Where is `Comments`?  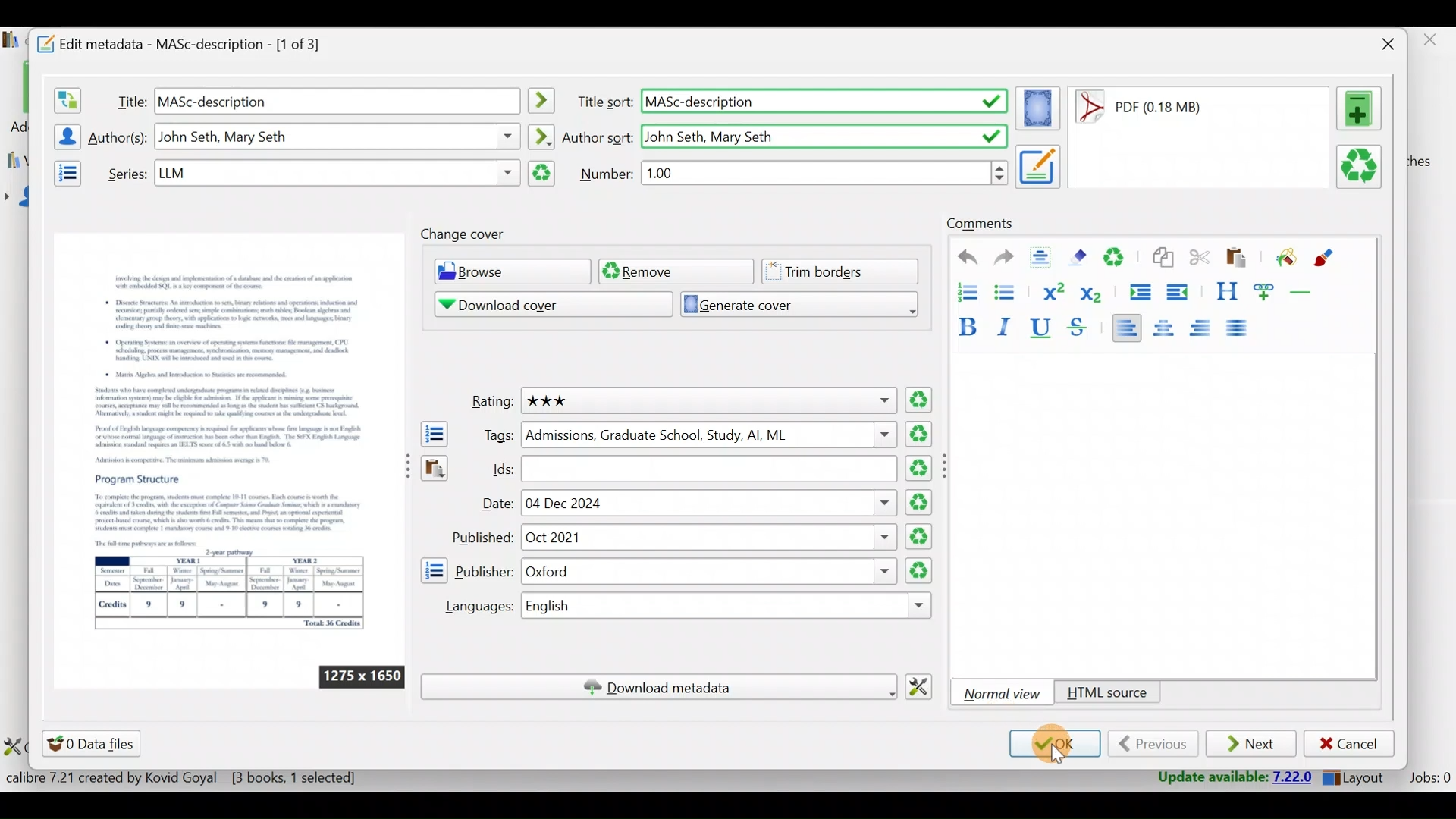
Comments is located at coordinates (980, 224).